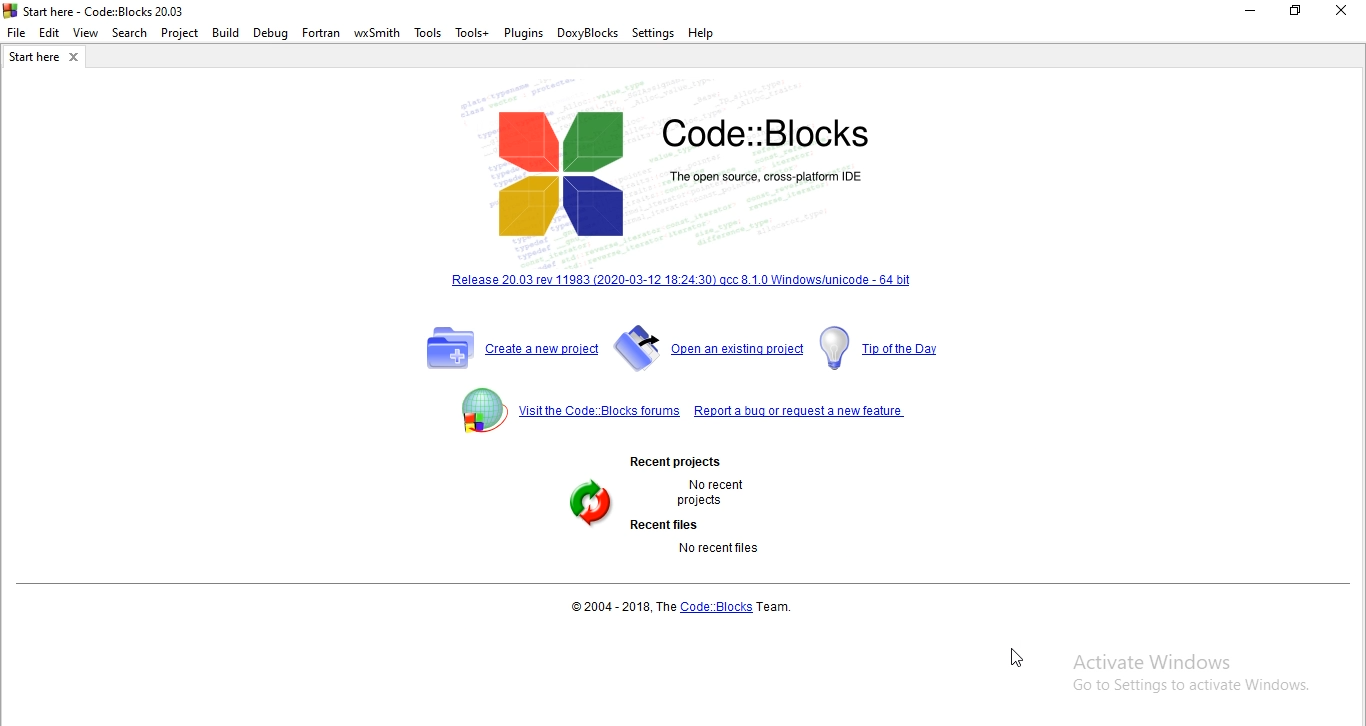 The width and height of the screenshot is (1366, 726). What do you see at coordinates (429, 34) in the screenshot?
I see `Tools` at bounding box center [429, 34].